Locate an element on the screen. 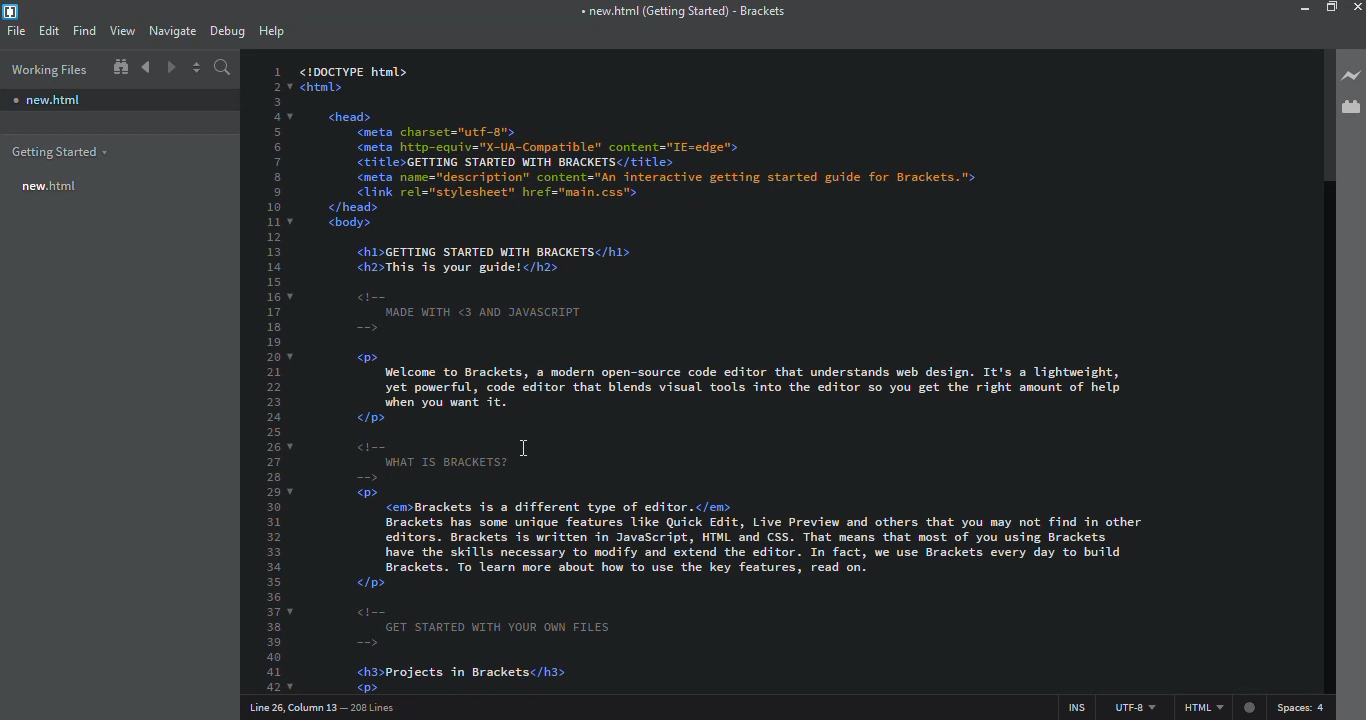  html is located at coordinates (1221, 707).